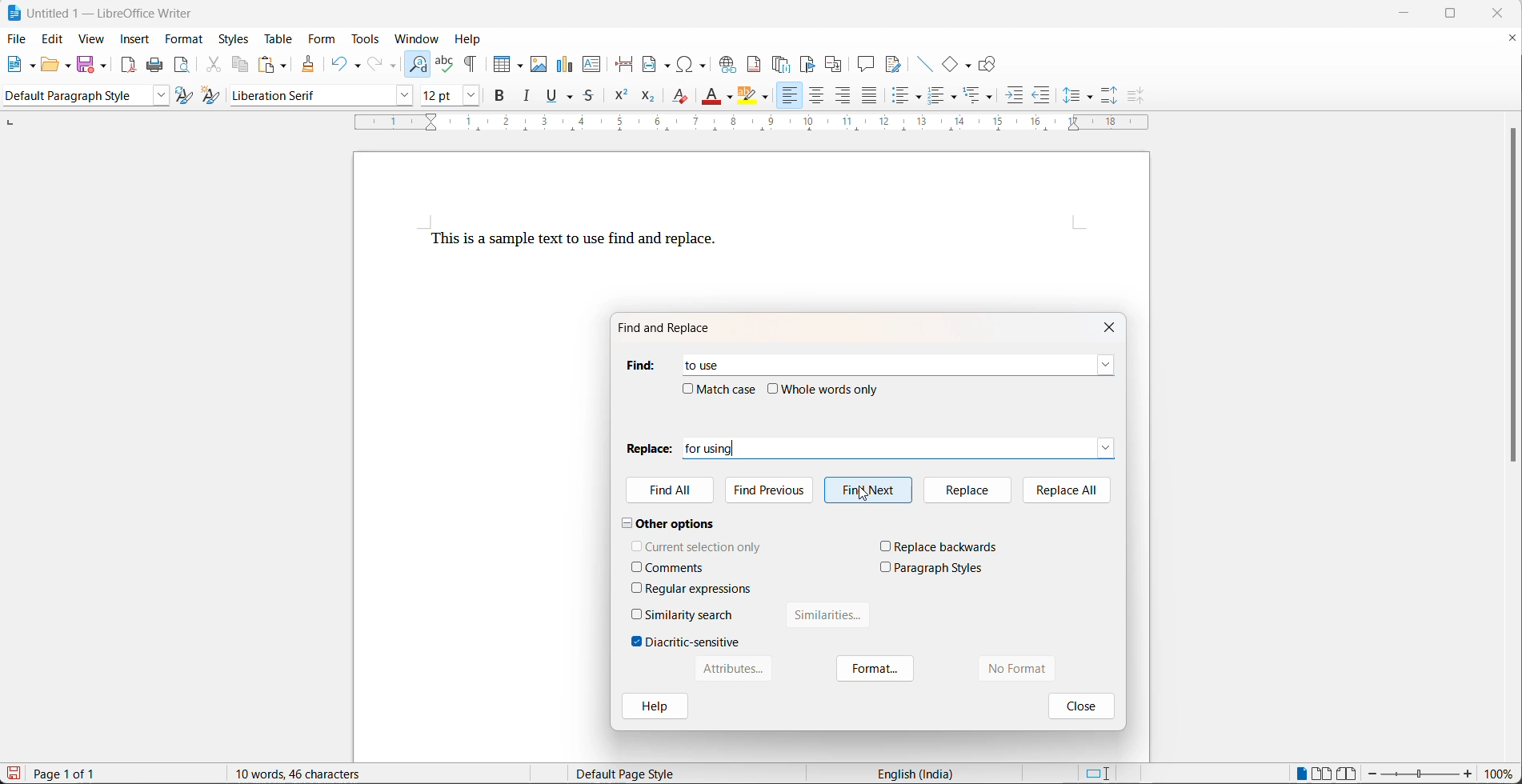  I want to click on close, so click(1113, 326).